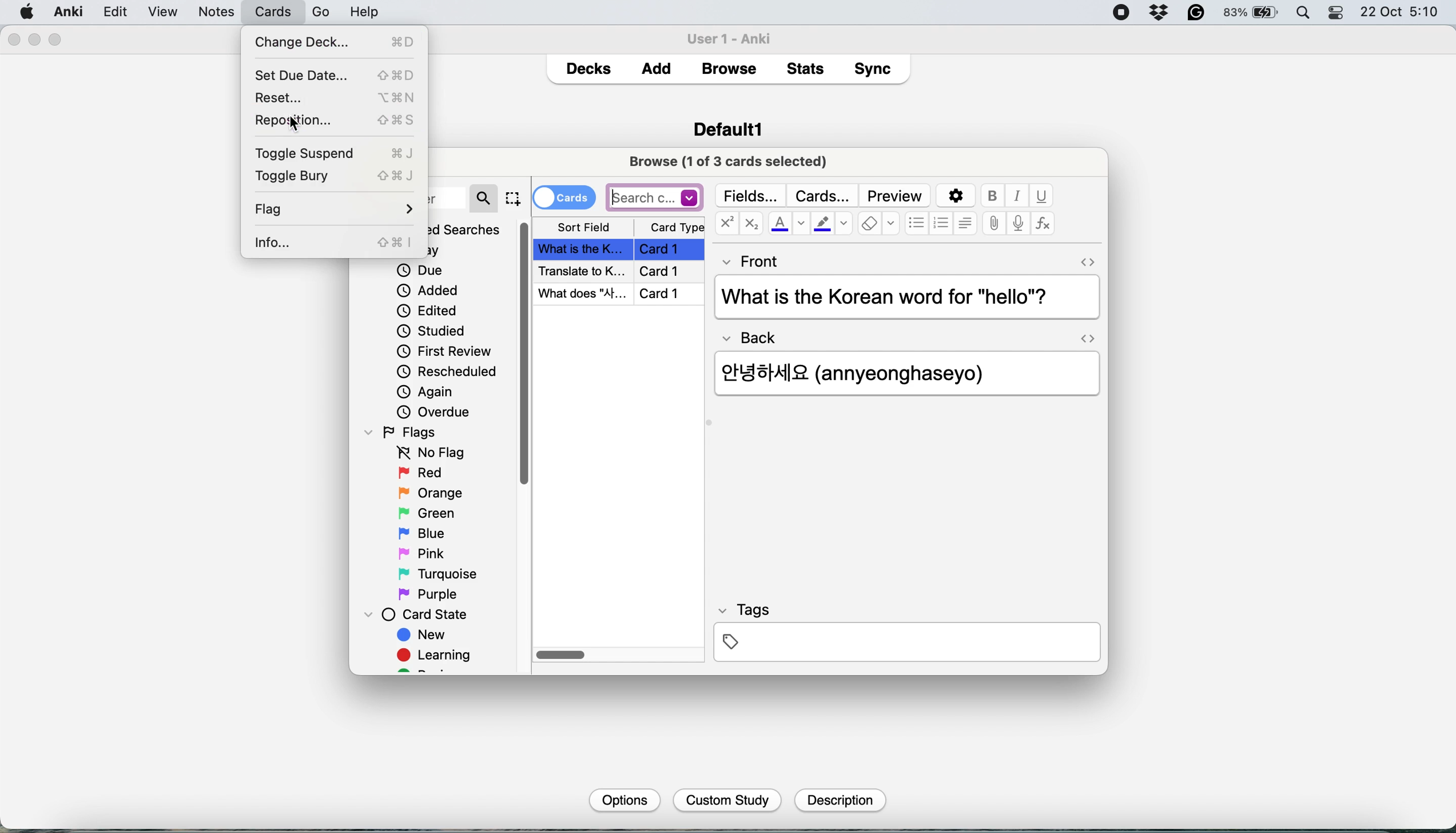 This screenshot has width=1456, height=833. Describe the element at coordinates (809, 68) in the screenshot. I see `stats` at that location.